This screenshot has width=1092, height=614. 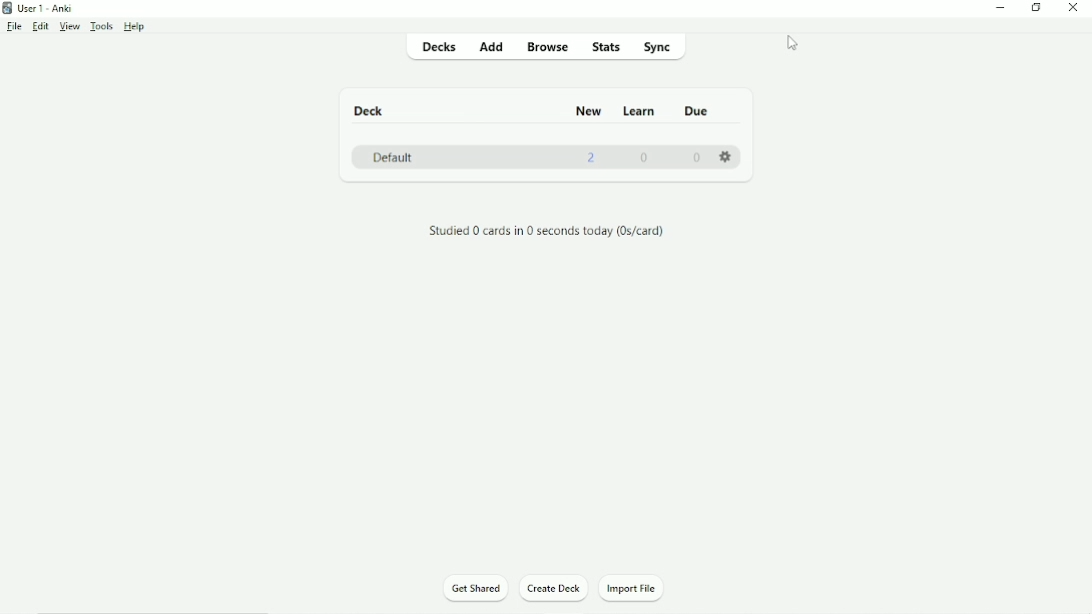 What do you see at coordinates (589, 110) in the screenshot?
I see `New` at bounding box center [589, 110].